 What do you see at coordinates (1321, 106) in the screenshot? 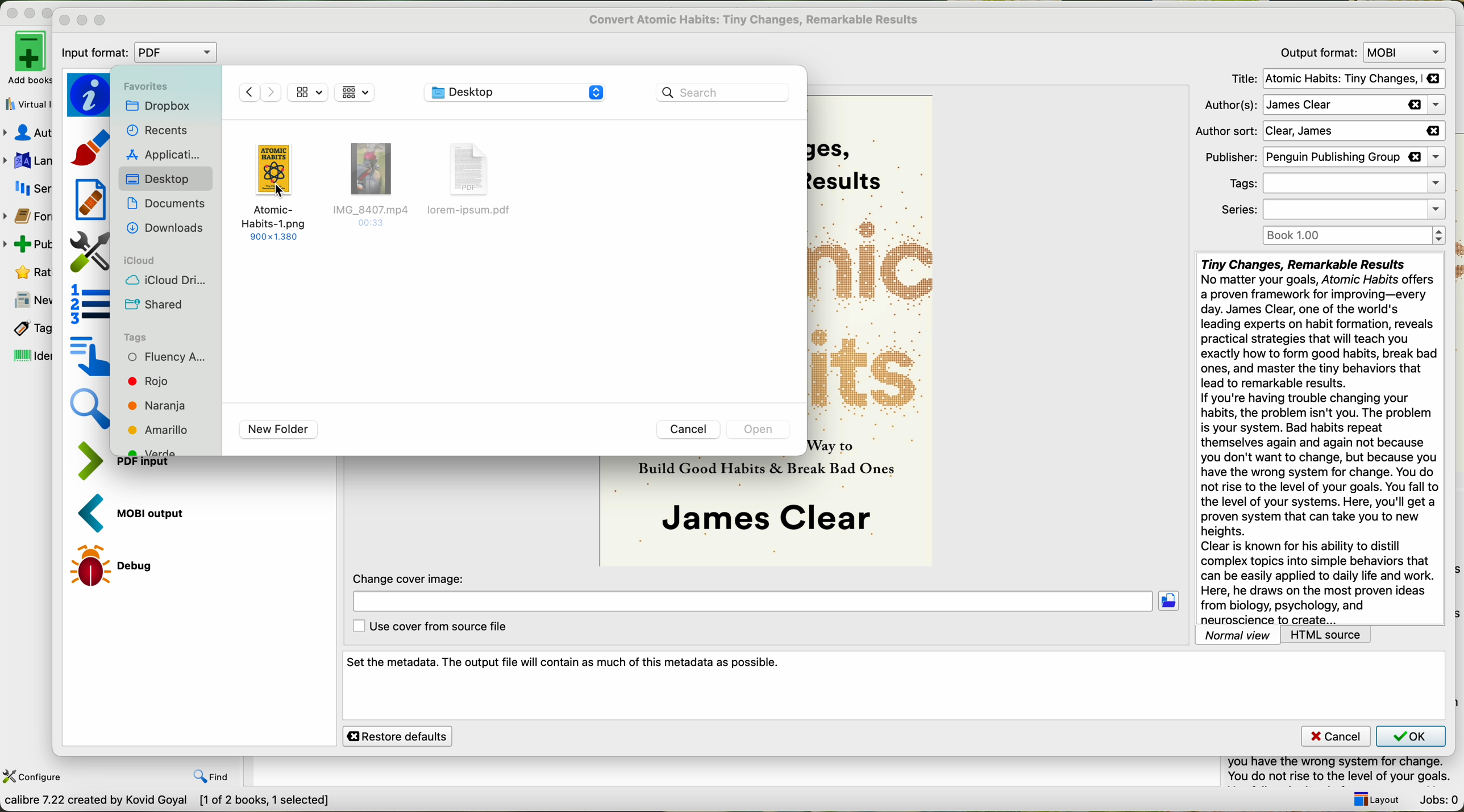
I see `authors` at bounding box center [1321, 106].